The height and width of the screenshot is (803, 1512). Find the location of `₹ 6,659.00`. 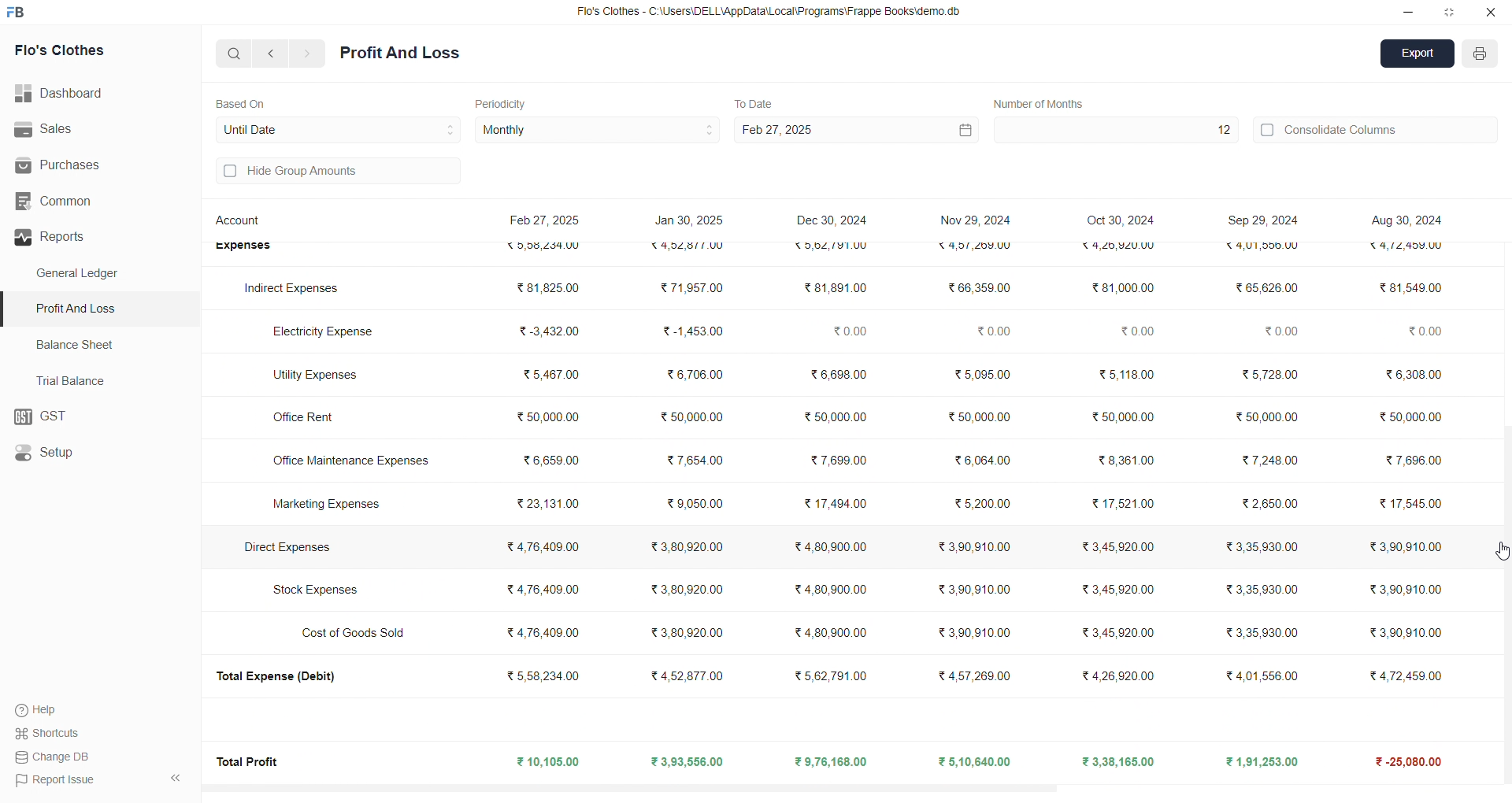

₹ 6,659.00 is located at coordinates (549, 458).